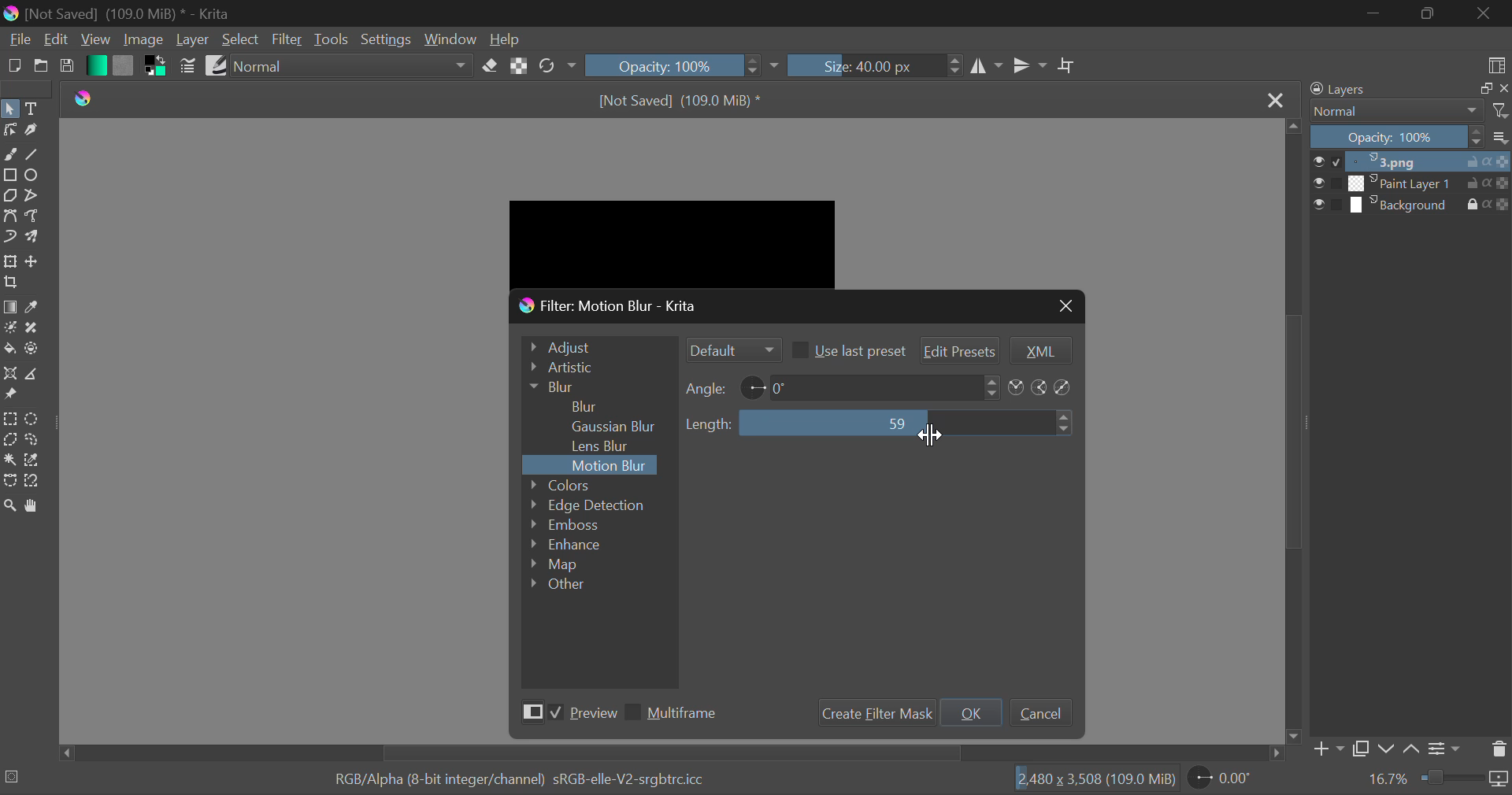  Describe the element at coordinates (507, 39) in the screenshot. I see `Help` at that location.